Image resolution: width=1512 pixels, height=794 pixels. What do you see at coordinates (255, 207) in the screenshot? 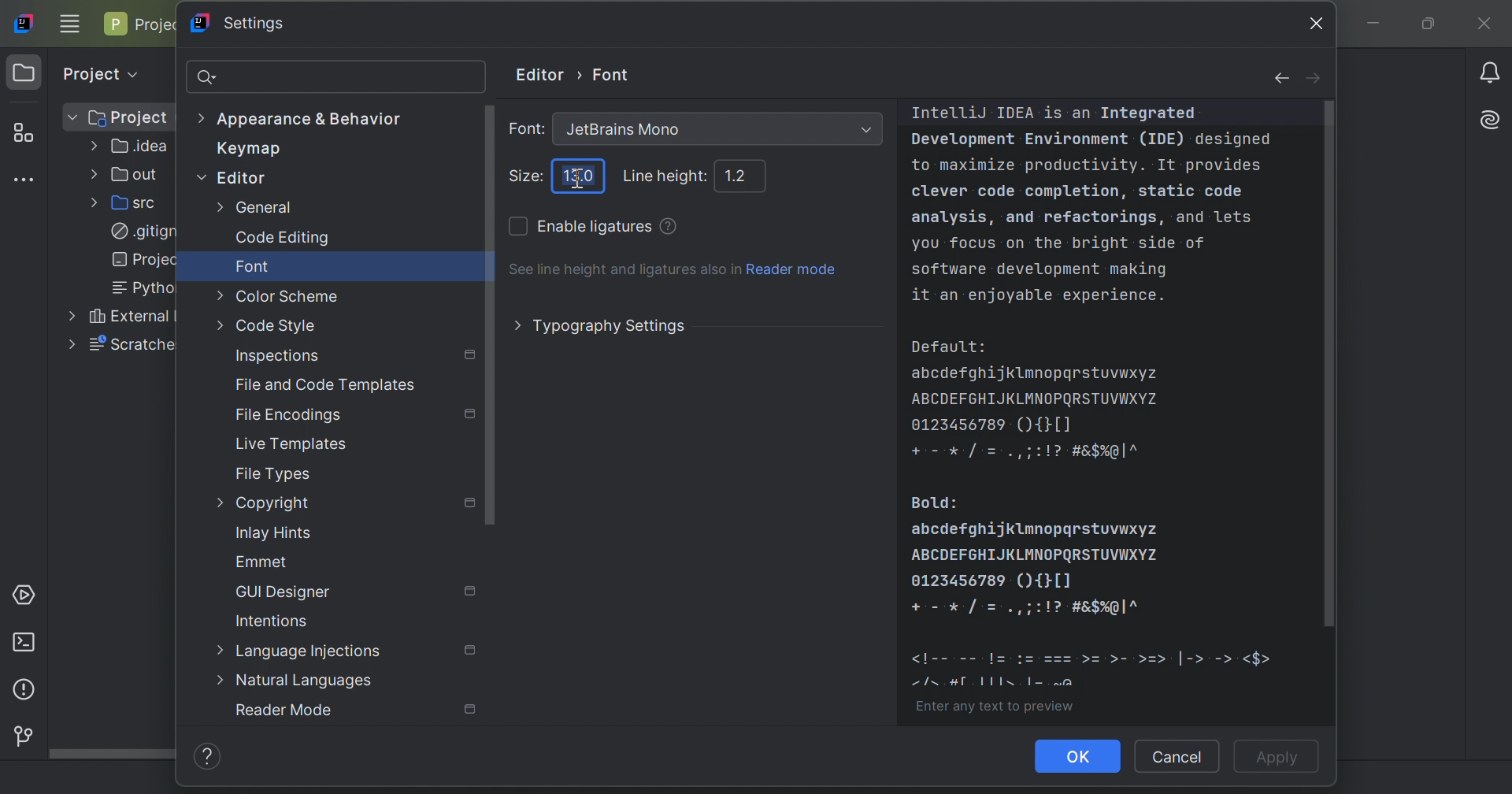
I see `General` at bounding box center [255, 207].